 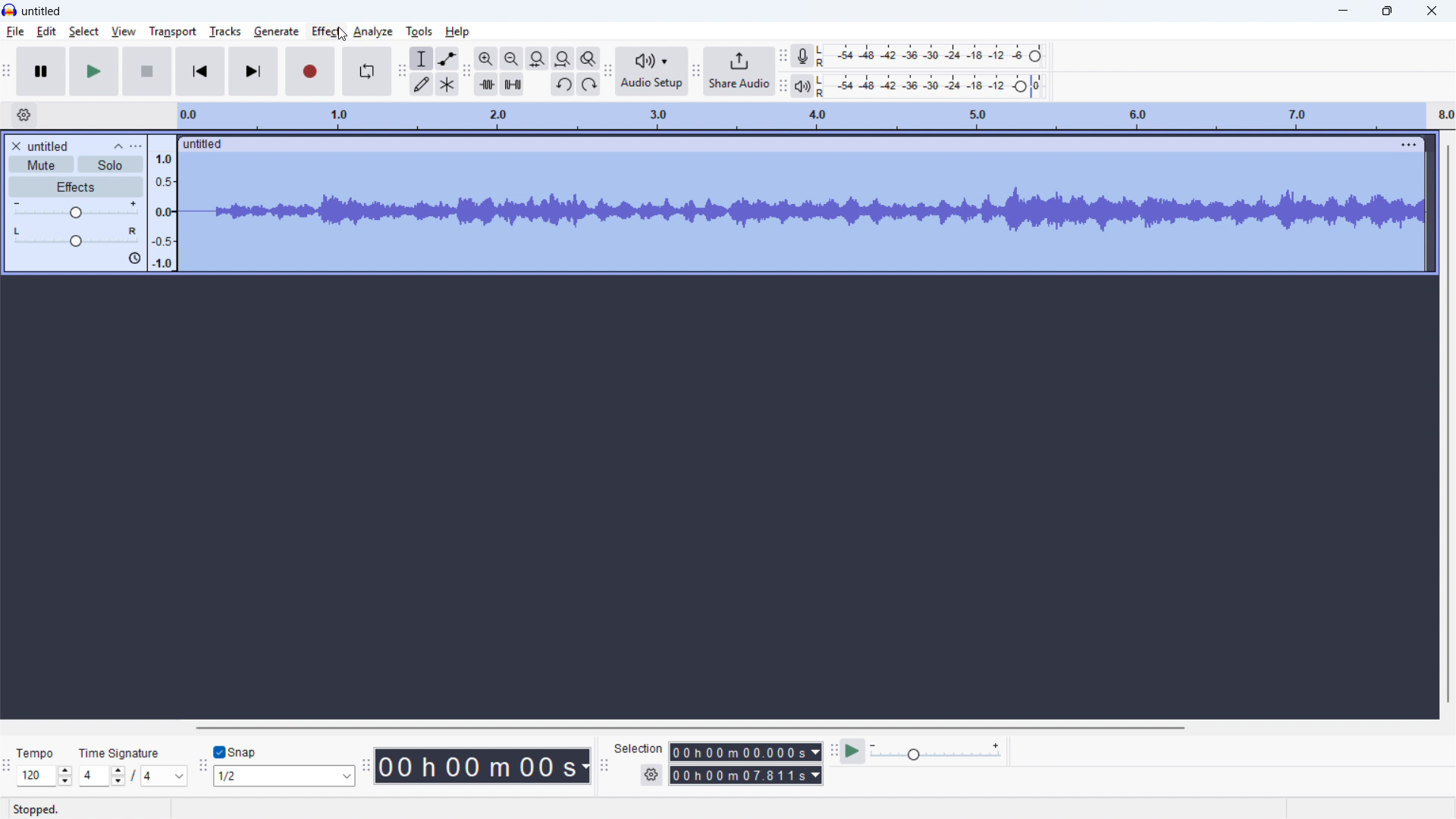 What do you see at coordinates (639, 748) in the screenshot?
I see `selection` at bounding box center [639, 748].